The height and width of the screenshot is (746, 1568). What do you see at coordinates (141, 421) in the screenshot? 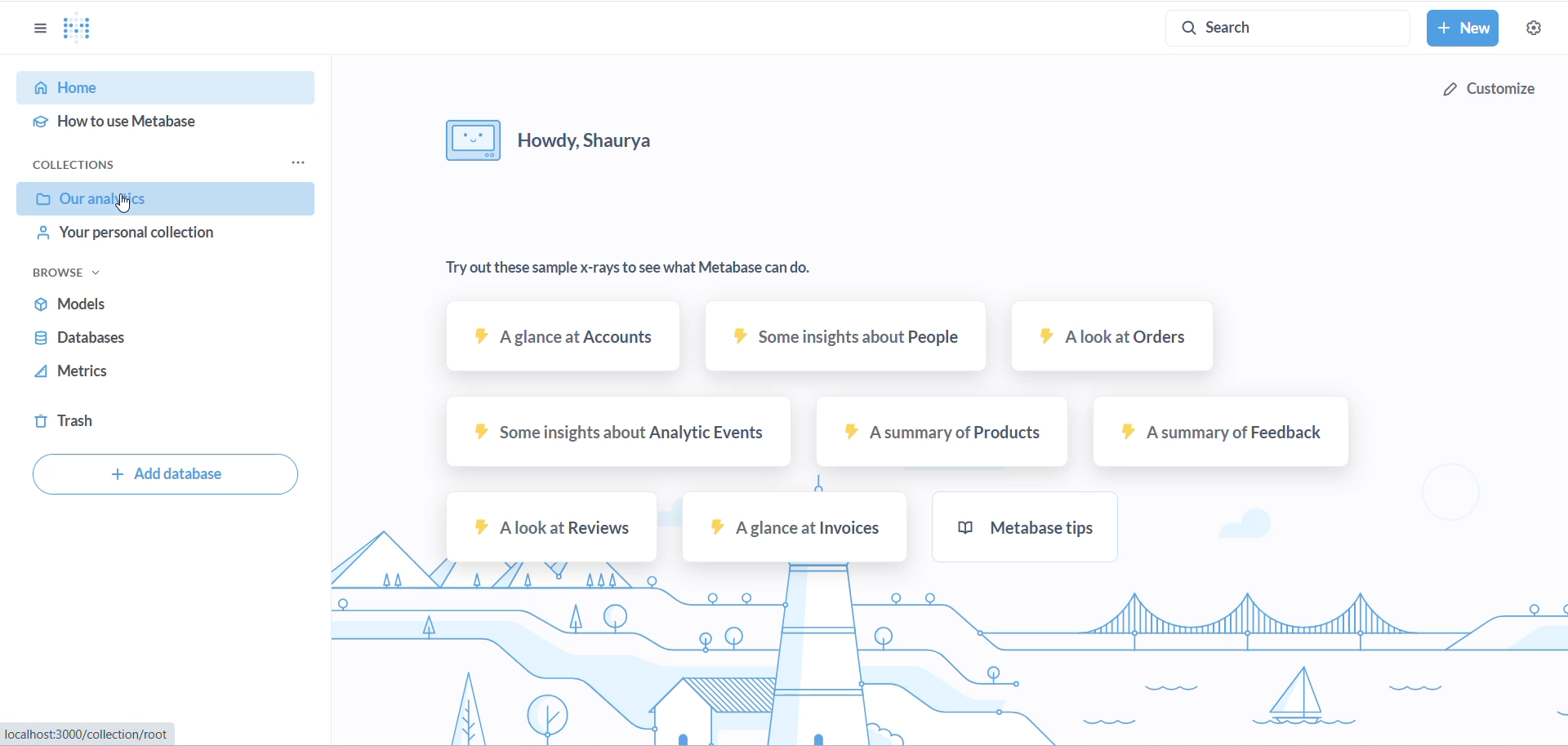
I see `trash` at bounding box center [141, 421].